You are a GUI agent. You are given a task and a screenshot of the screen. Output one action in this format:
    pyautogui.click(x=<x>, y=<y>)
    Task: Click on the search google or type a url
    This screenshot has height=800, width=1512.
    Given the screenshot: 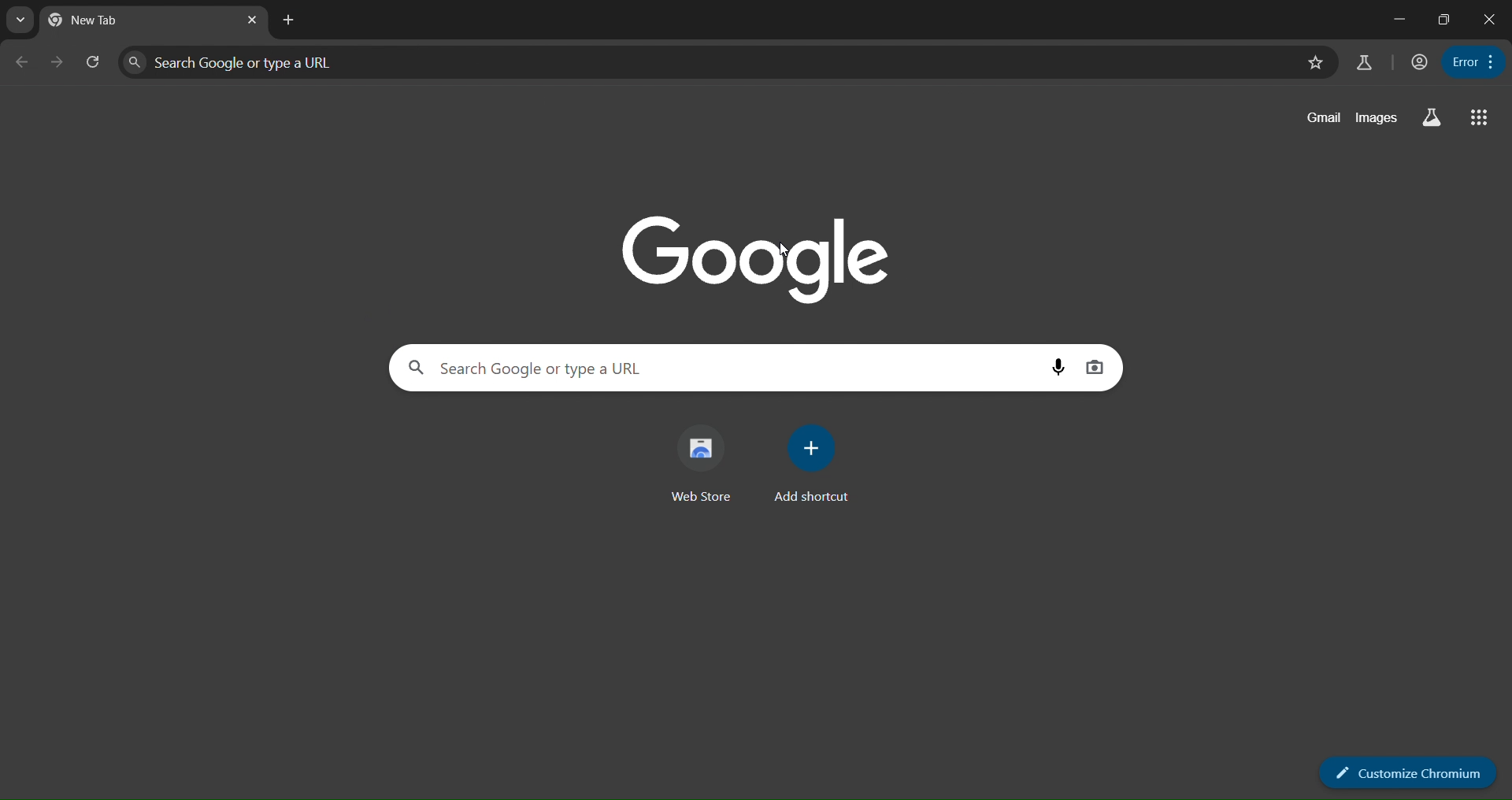 What is the action you would take?
    pyautogui.click(x=558, y=369)
    